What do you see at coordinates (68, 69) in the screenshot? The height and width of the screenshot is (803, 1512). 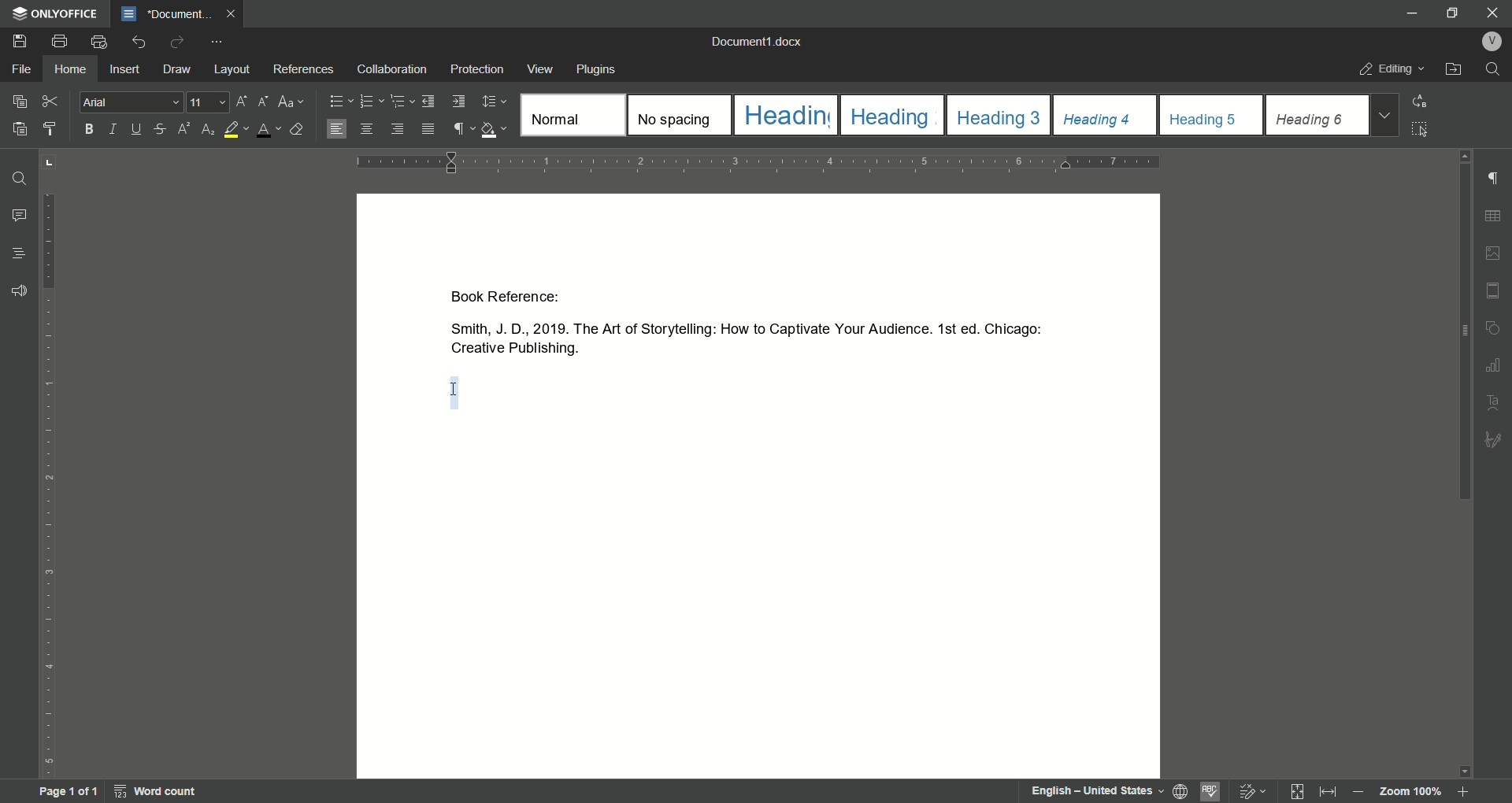 I see `home` at bounding box center [68, 69].